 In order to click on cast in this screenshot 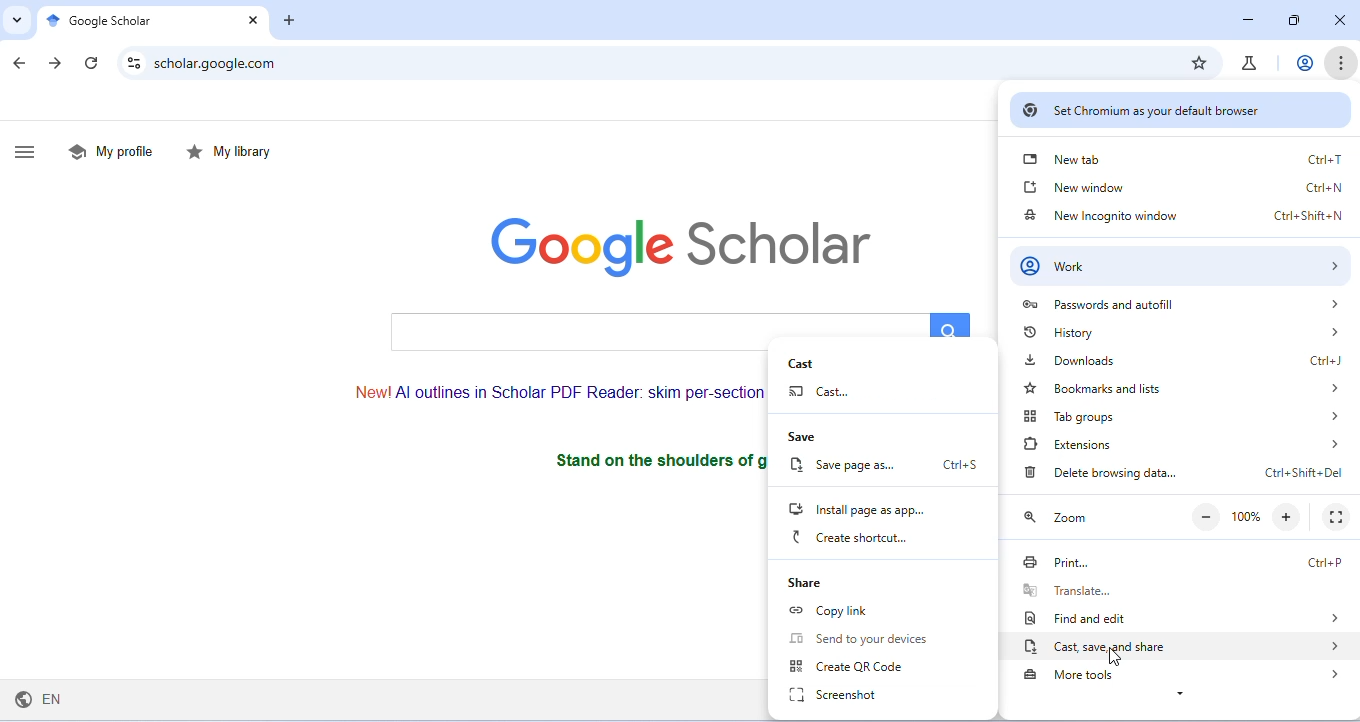, I will do `click(835, 393)`.